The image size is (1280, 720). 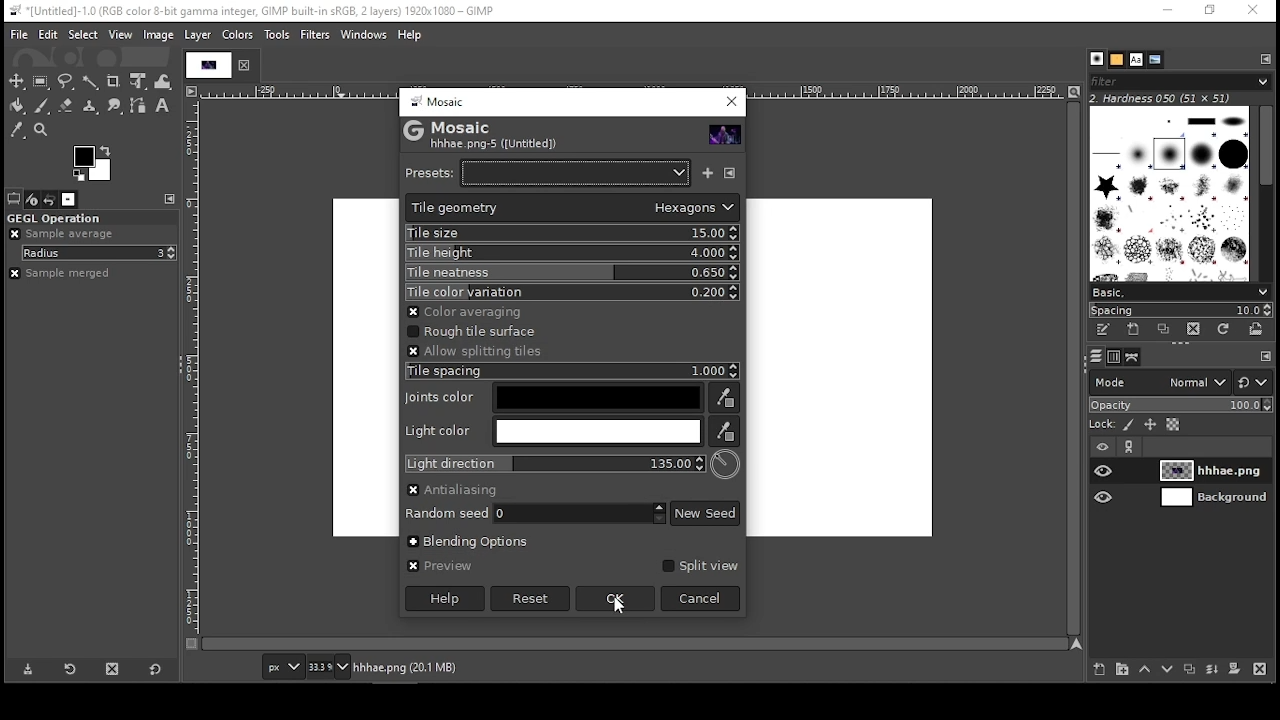 What do you see at coordinates (571, 207) in the screenshot?
I see `tile geometry` at bounding box center [571, 207].